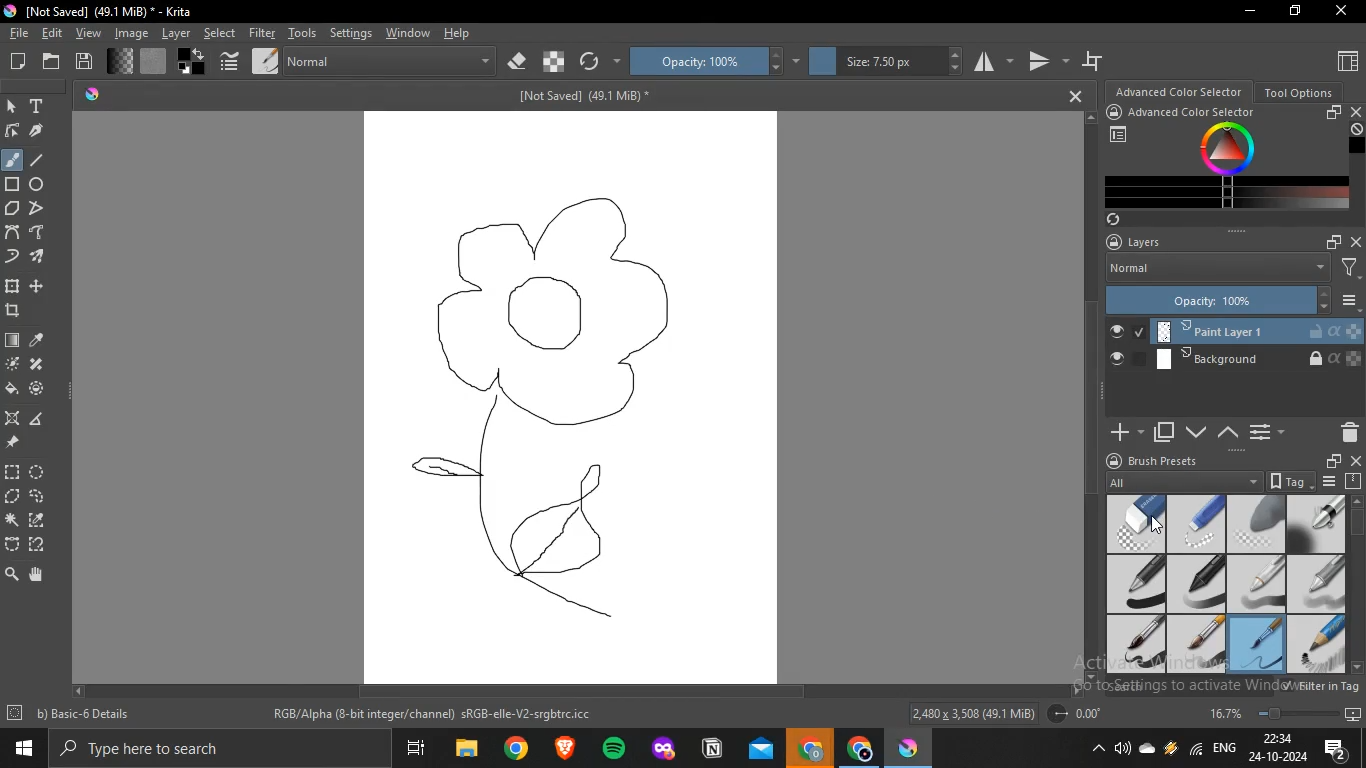 This screenshot has width=1366, height=768. Describe the element at coordinates (1137, 585) in the screenshot. I see `basic 1` at that location.